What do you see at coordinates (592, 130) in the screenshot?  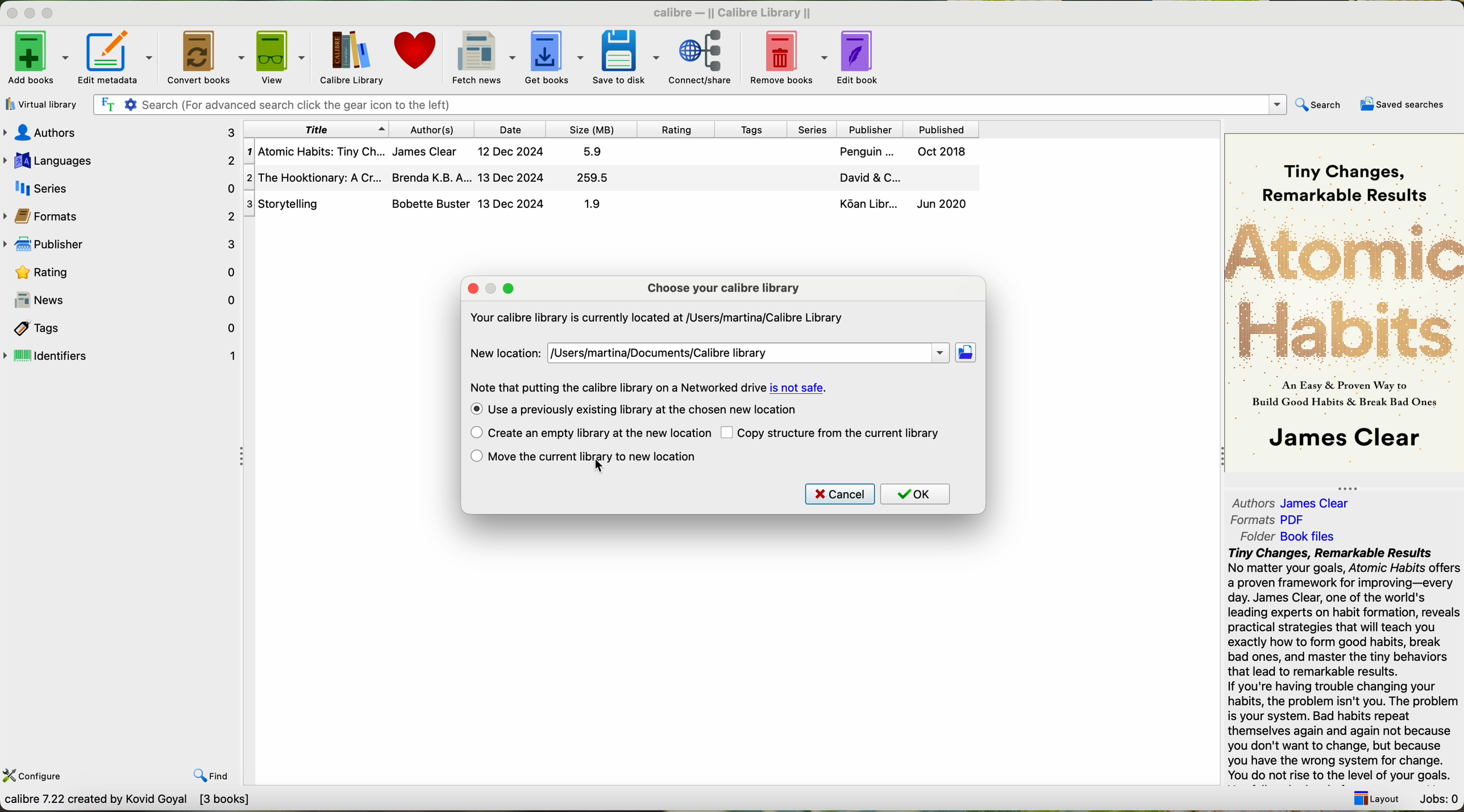 I see `size` at bounding box center [592, 130].